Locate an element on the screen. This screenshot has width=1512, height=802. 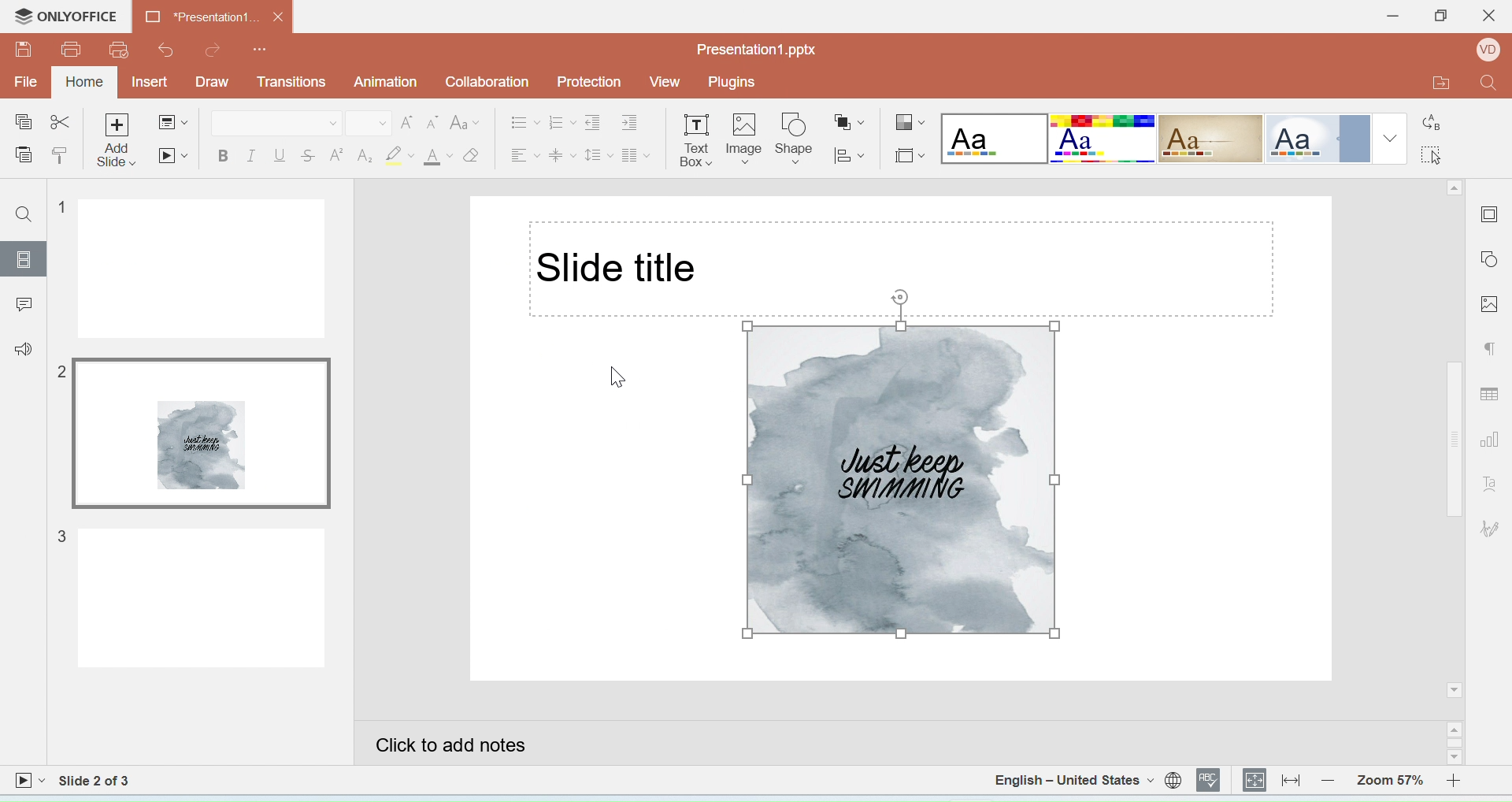
Slide 1 to 2 is located at coordinates (96, 781).